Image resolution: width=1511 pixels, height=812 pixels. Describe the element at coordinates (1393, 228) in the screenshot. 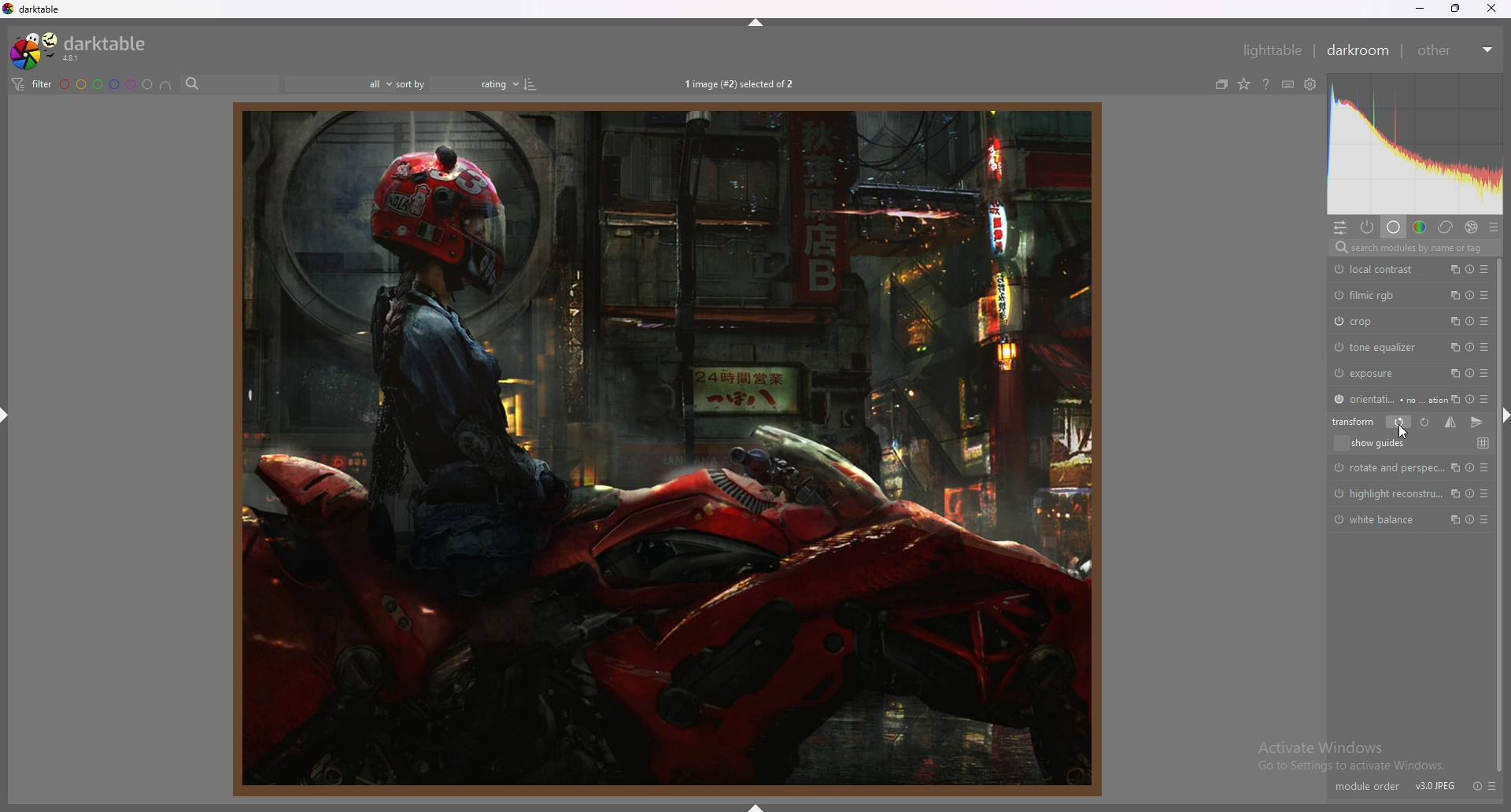

I see `base` at that location.